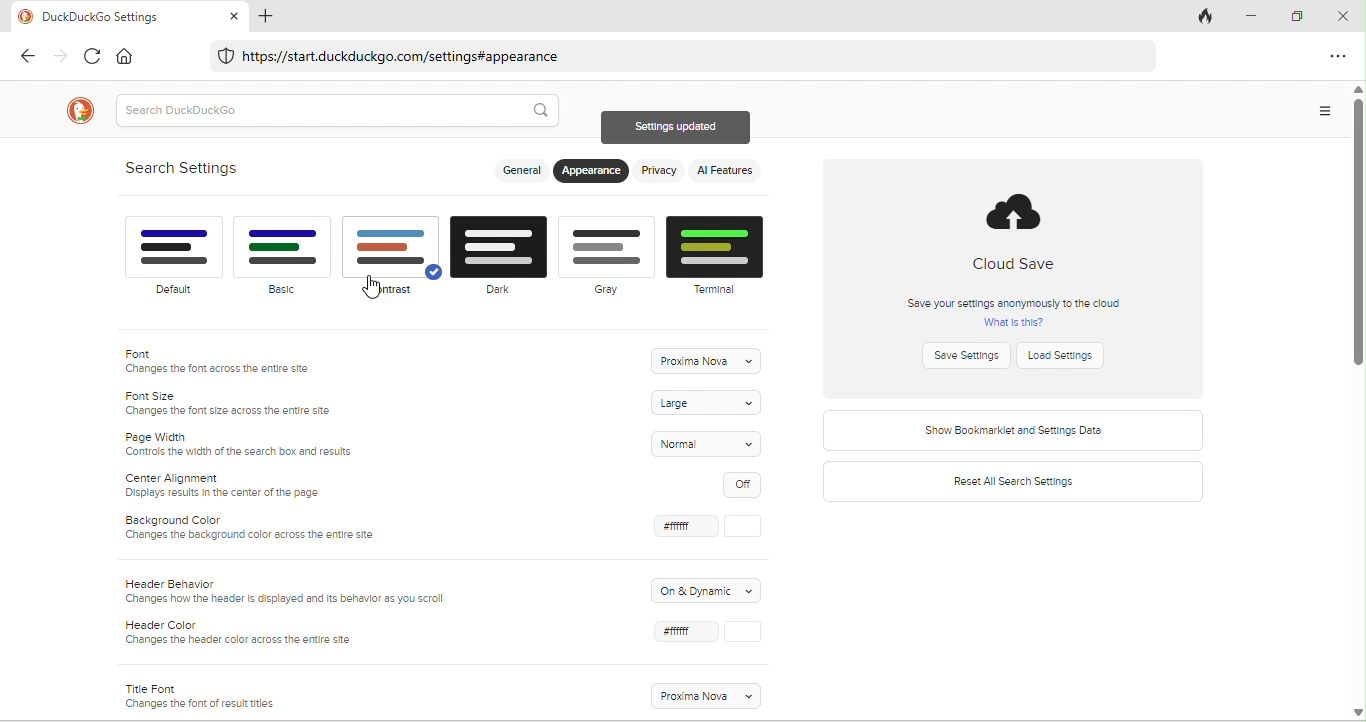  I want to click on show bookmarks and settings data, so click(1013, 430).